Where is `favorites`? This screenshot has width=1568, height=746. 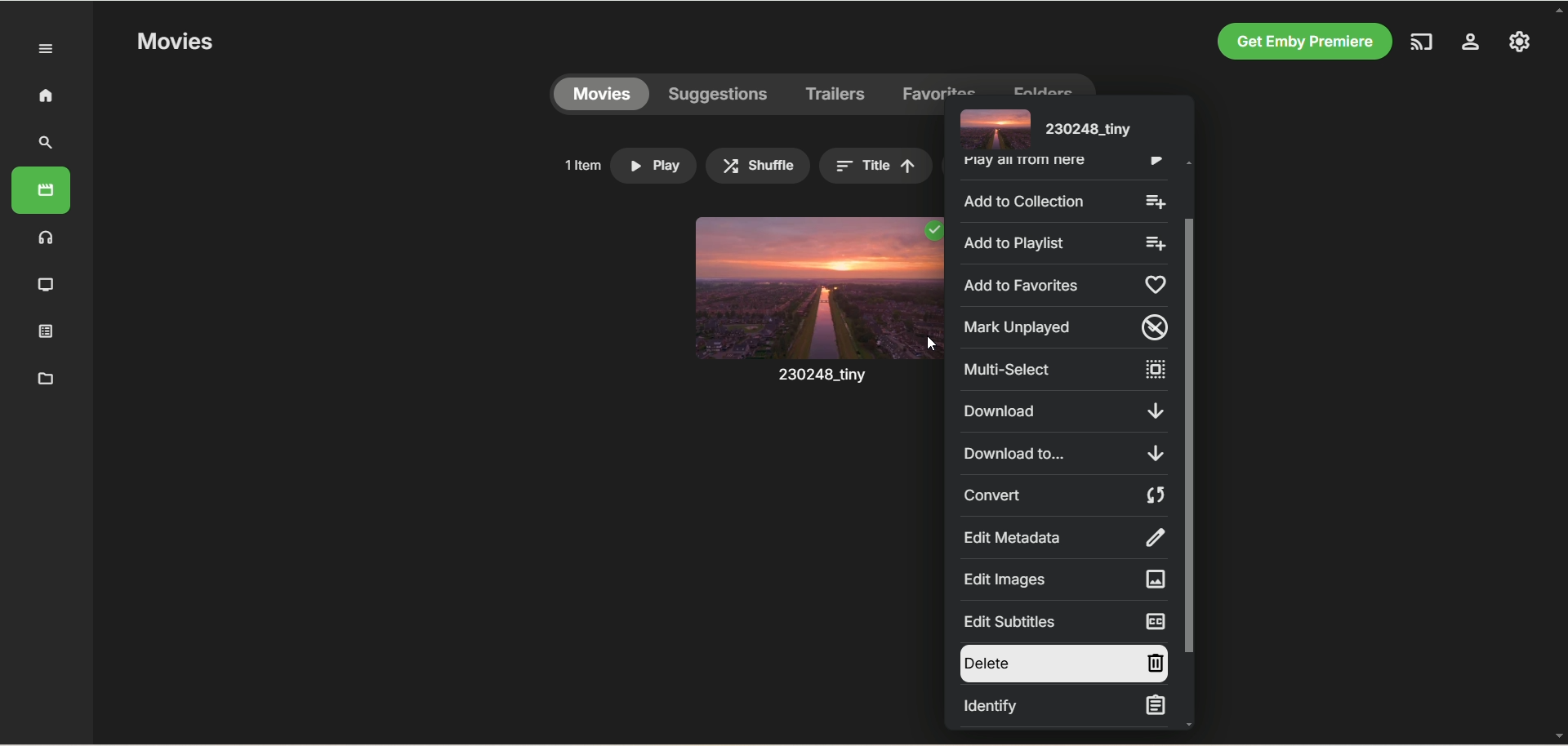
favorites is located at coordinates (940, 84).